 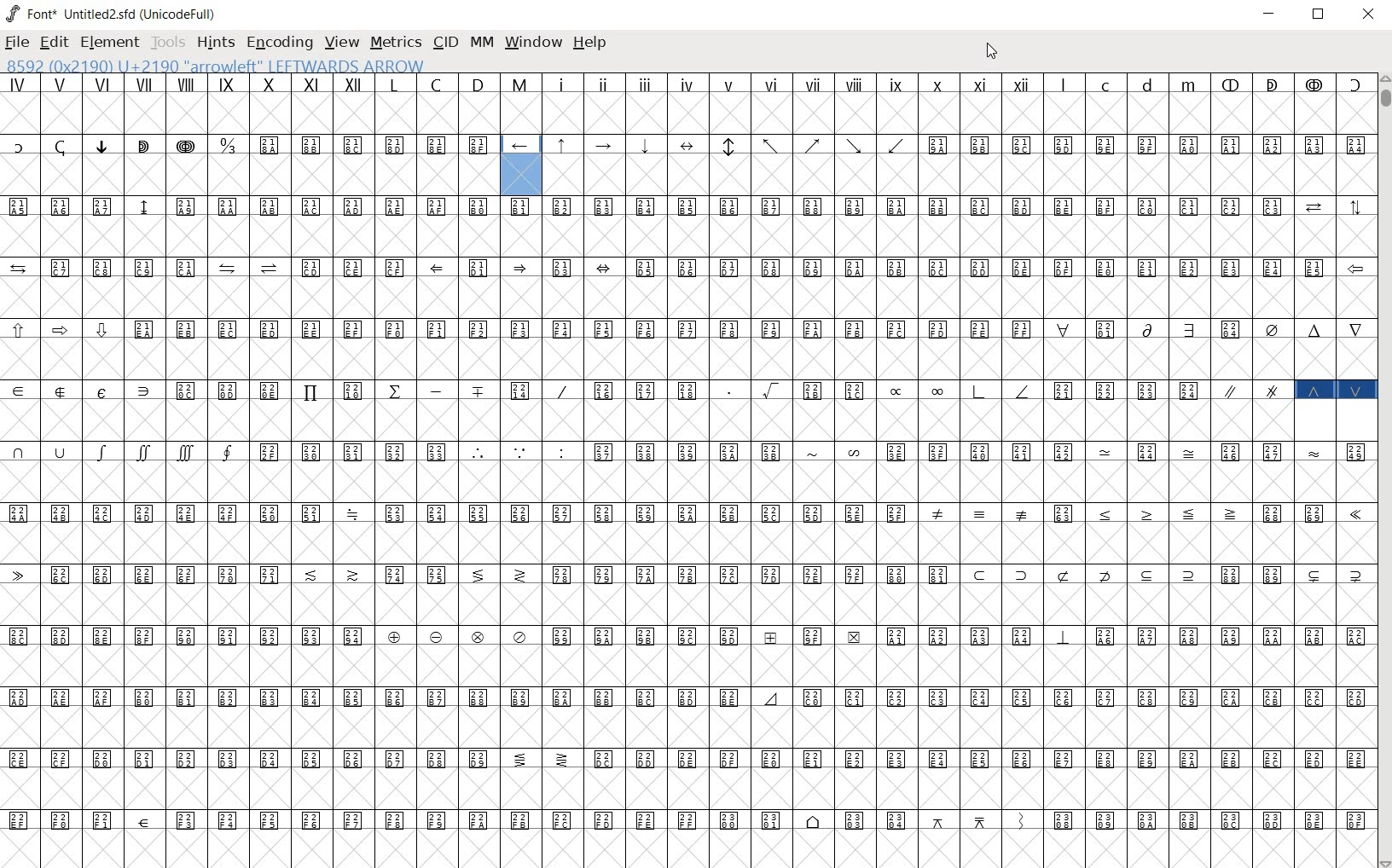 I want to click on cid, so click(x=444, y=43).